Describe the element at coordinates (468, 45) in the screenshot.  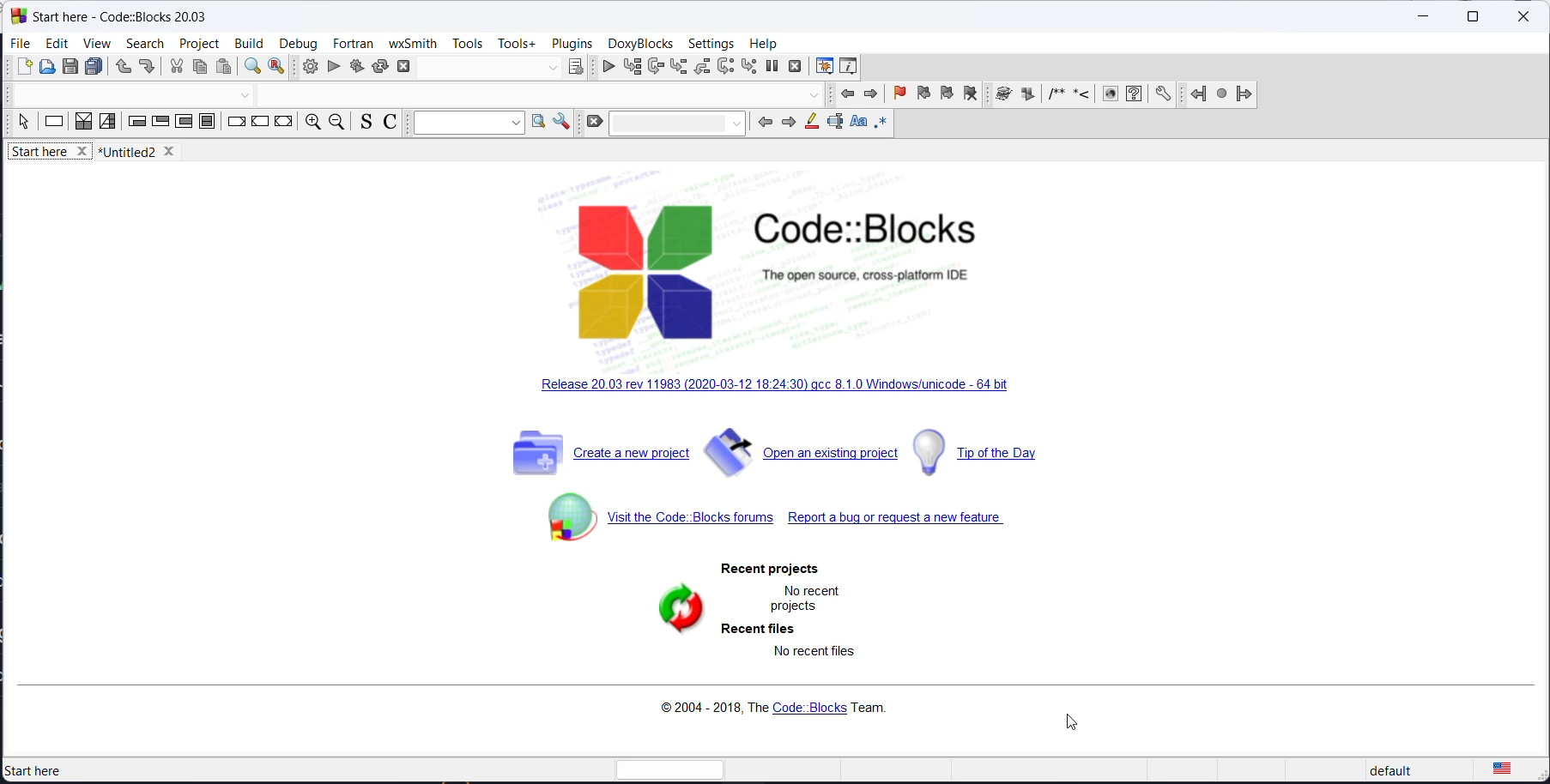
I see `tools` at that location.